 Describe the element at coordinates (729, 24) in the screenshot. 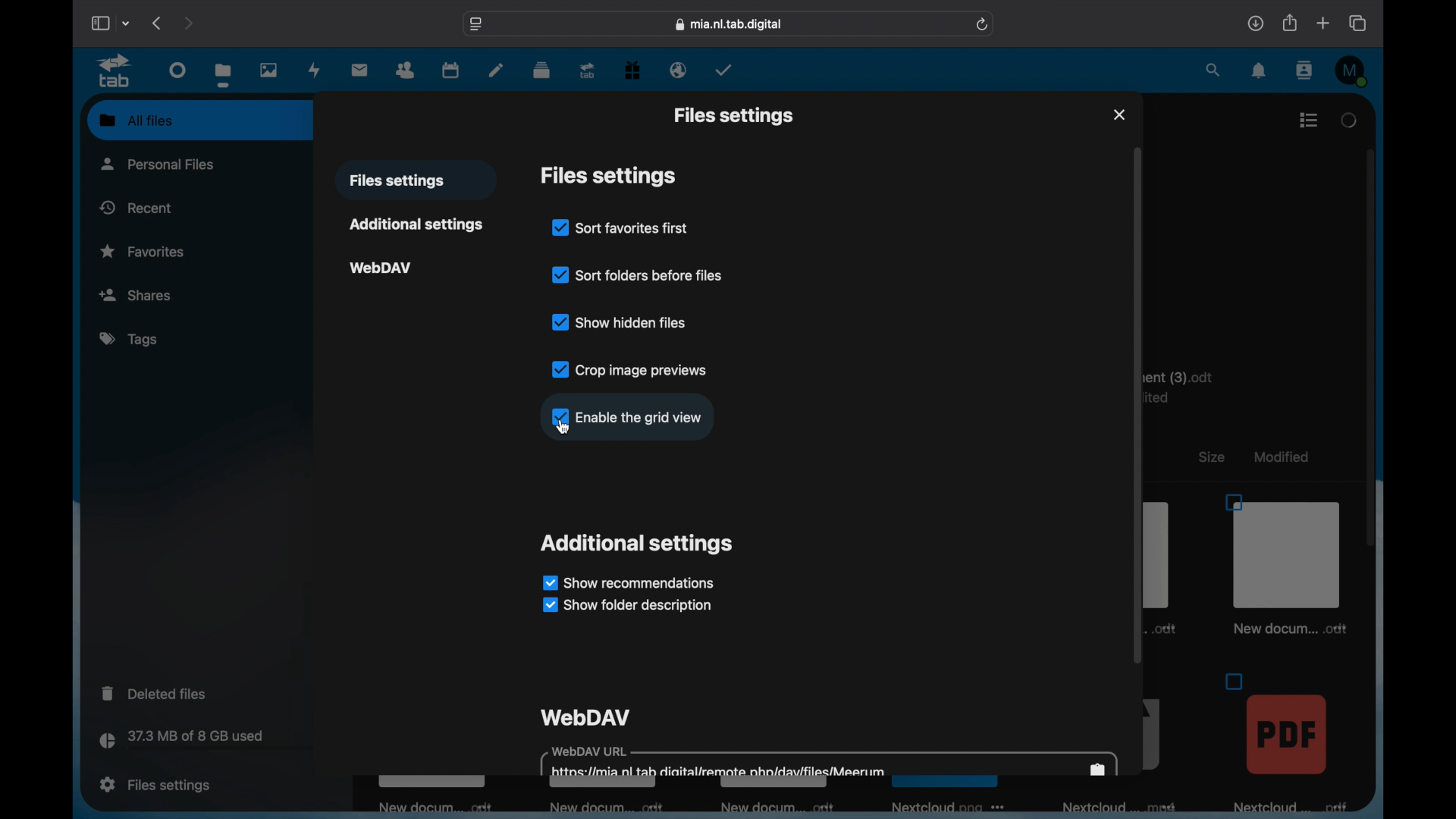

I see `web address` at that location.